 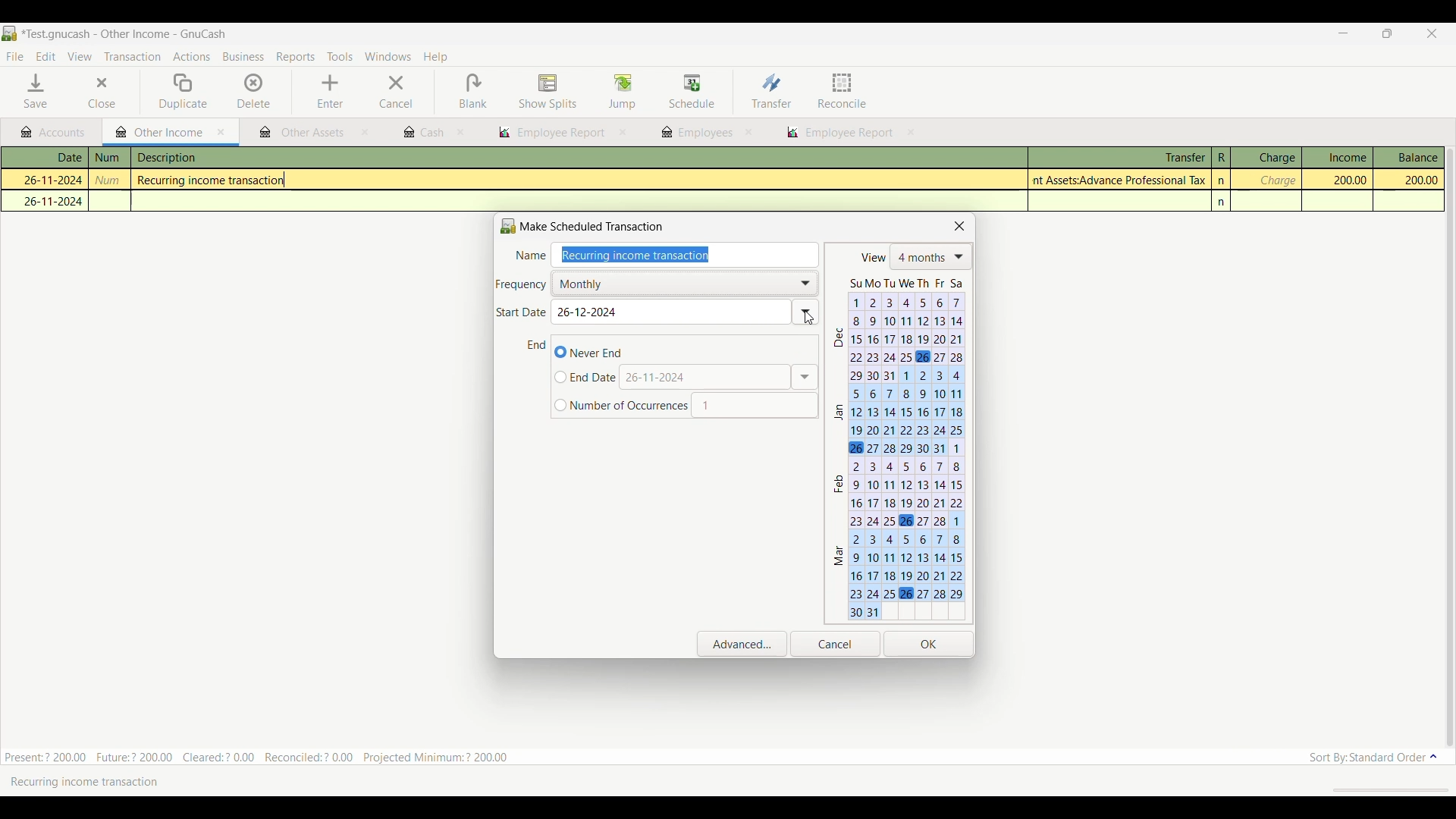 I want to click on 200.00, so click(x=1342, y=180).